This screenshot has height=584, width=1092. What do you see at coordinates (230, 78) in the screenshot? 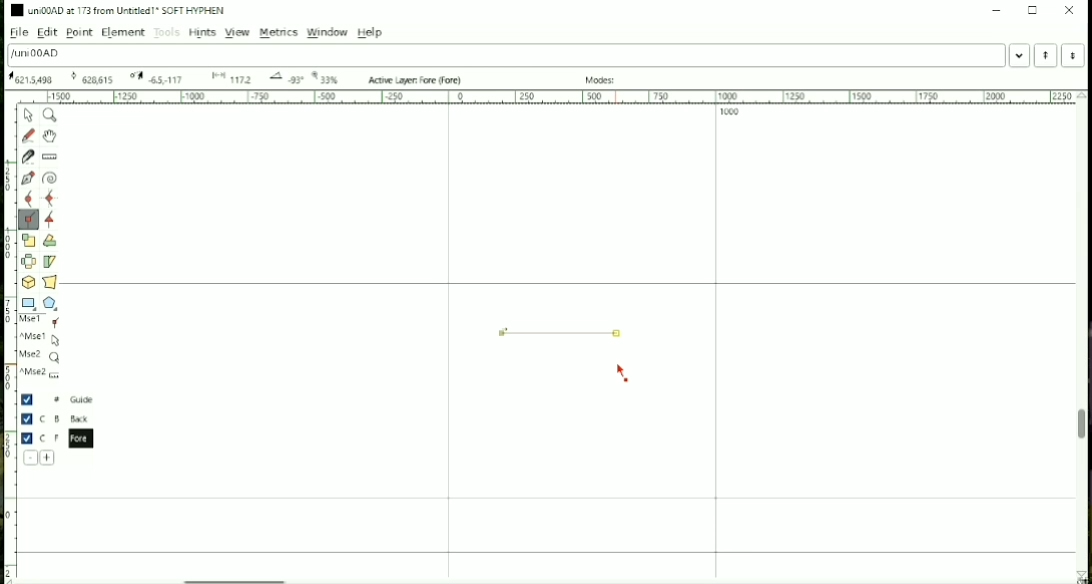
I see `173 Oxad U+00AD "uni00AD" SOFT HYPHEN` at bounding box center [230, 78].